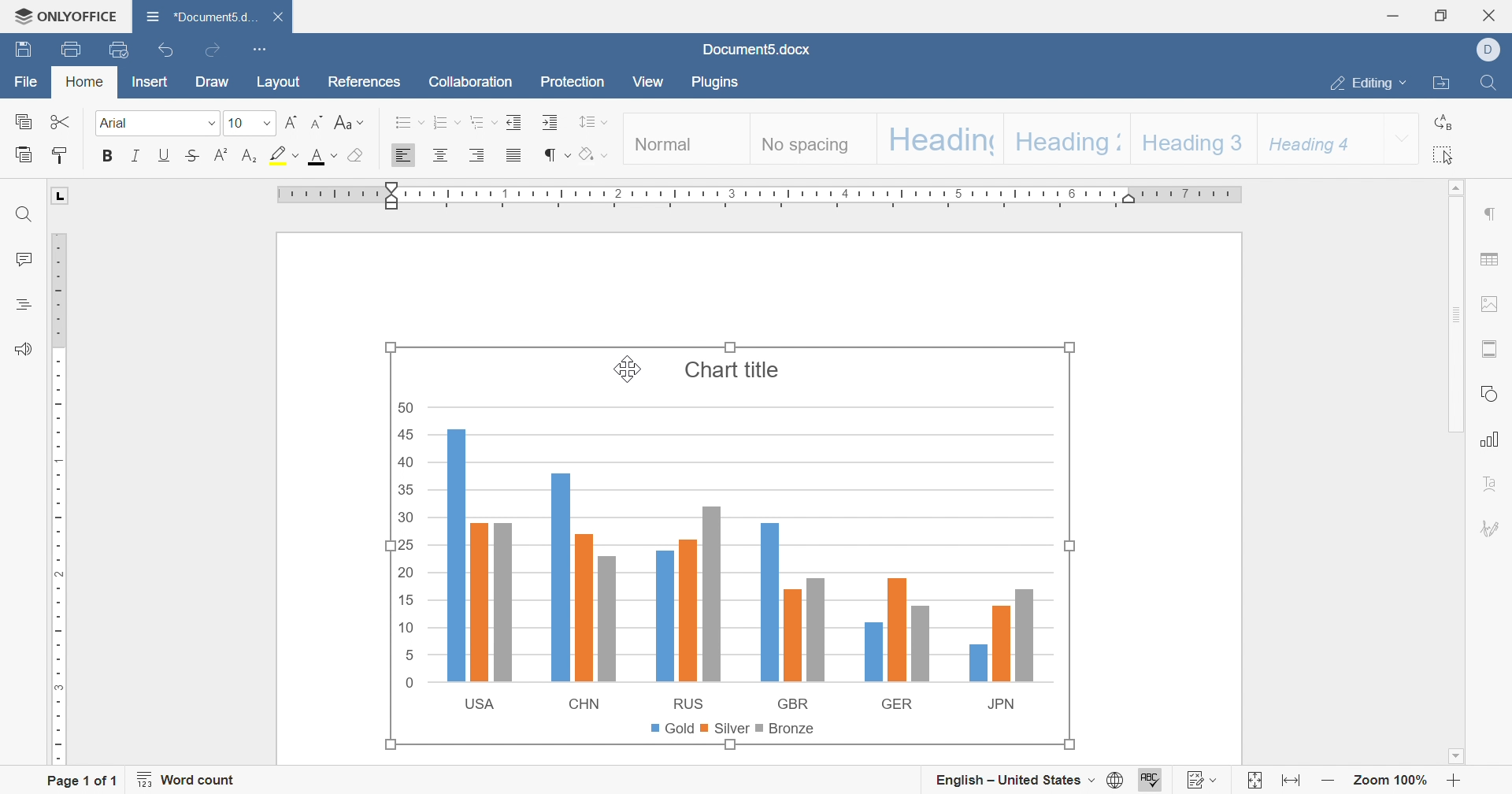 Image resolution: width=1512 pixels, height=794 pixels. I want to click on Align Left, so click(404, 155).